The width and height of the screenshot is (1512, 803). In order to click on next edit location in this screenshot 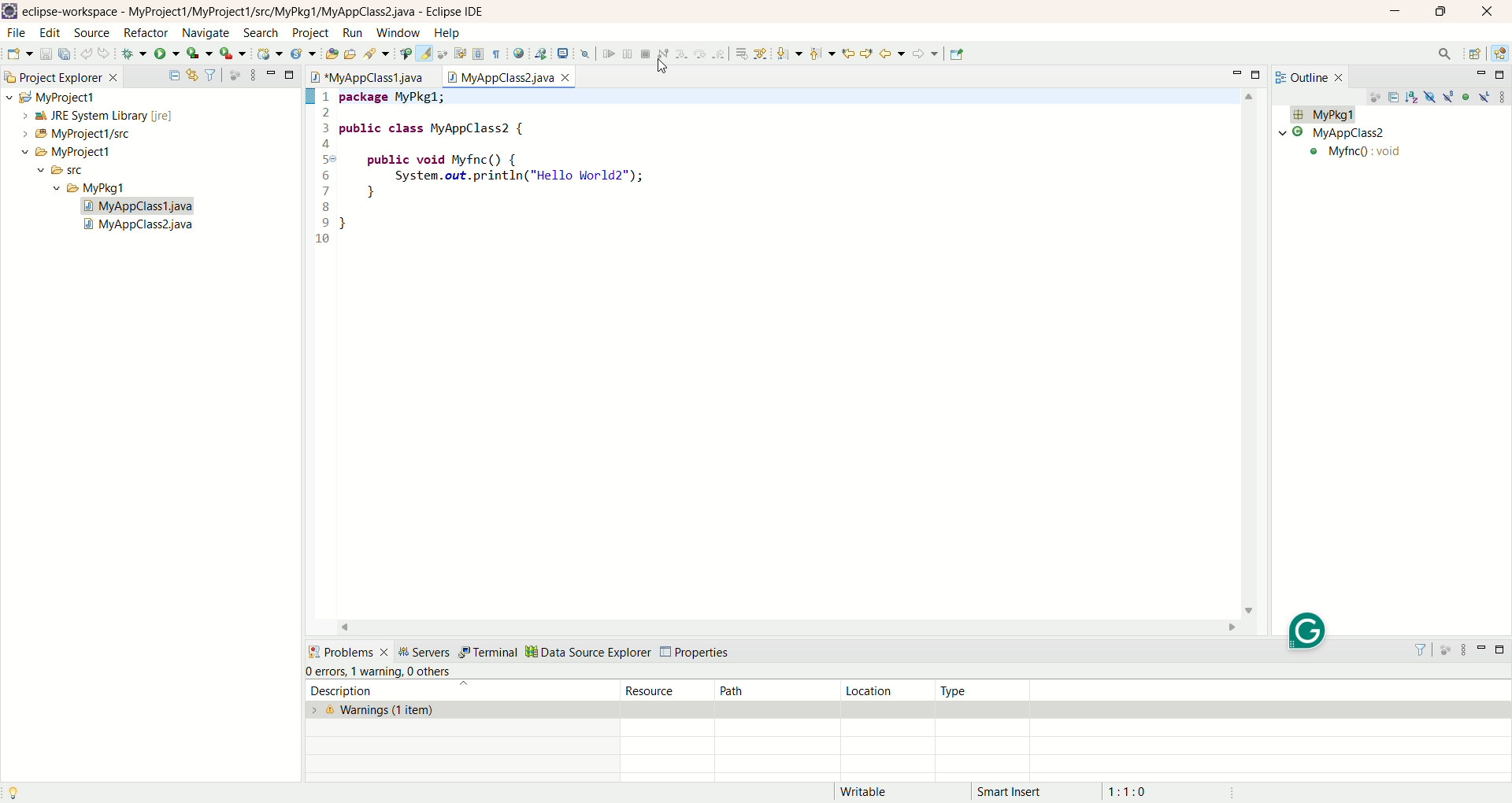, I will do `click(867, 52)`.